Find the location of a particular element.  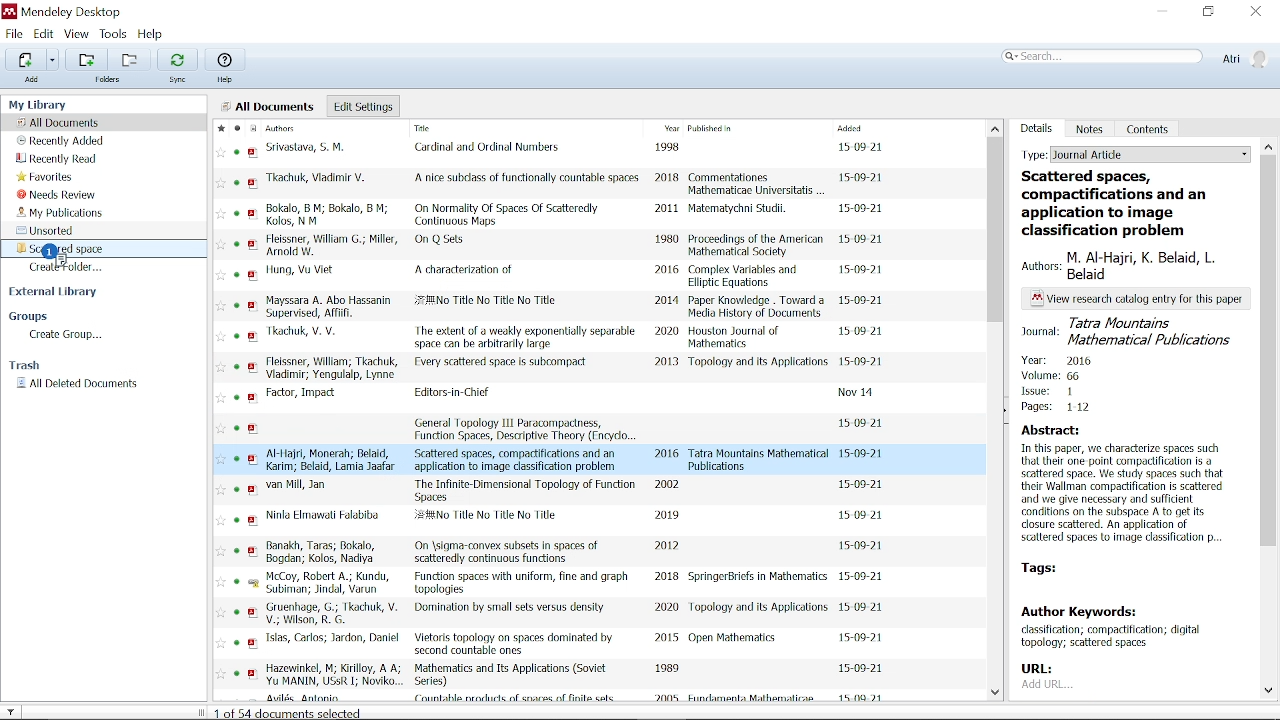

date is located at coordinates (862, 180).